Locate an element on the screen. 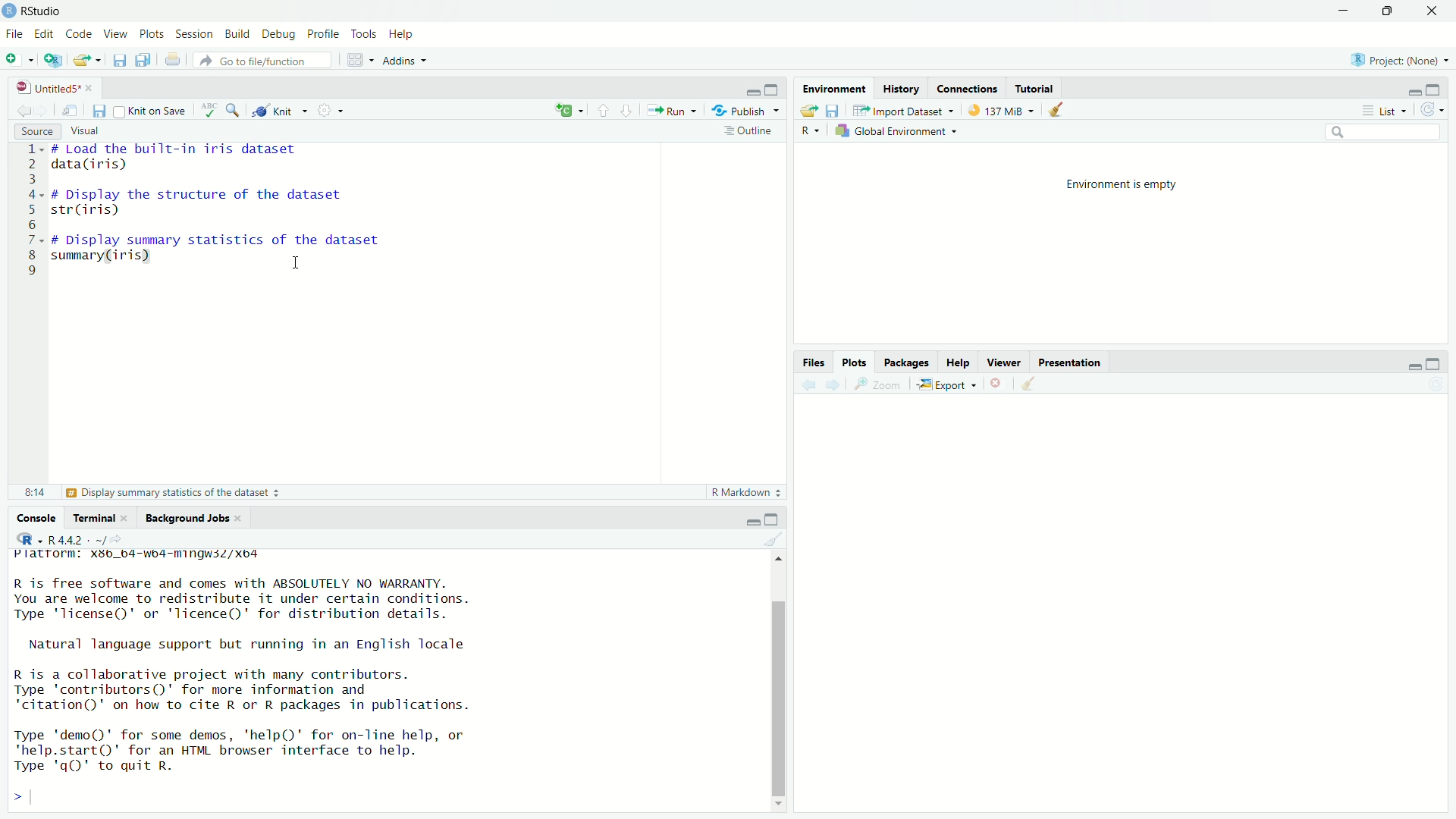 The image size is (1456, 819). Hide is located at coordinates (750, 519).